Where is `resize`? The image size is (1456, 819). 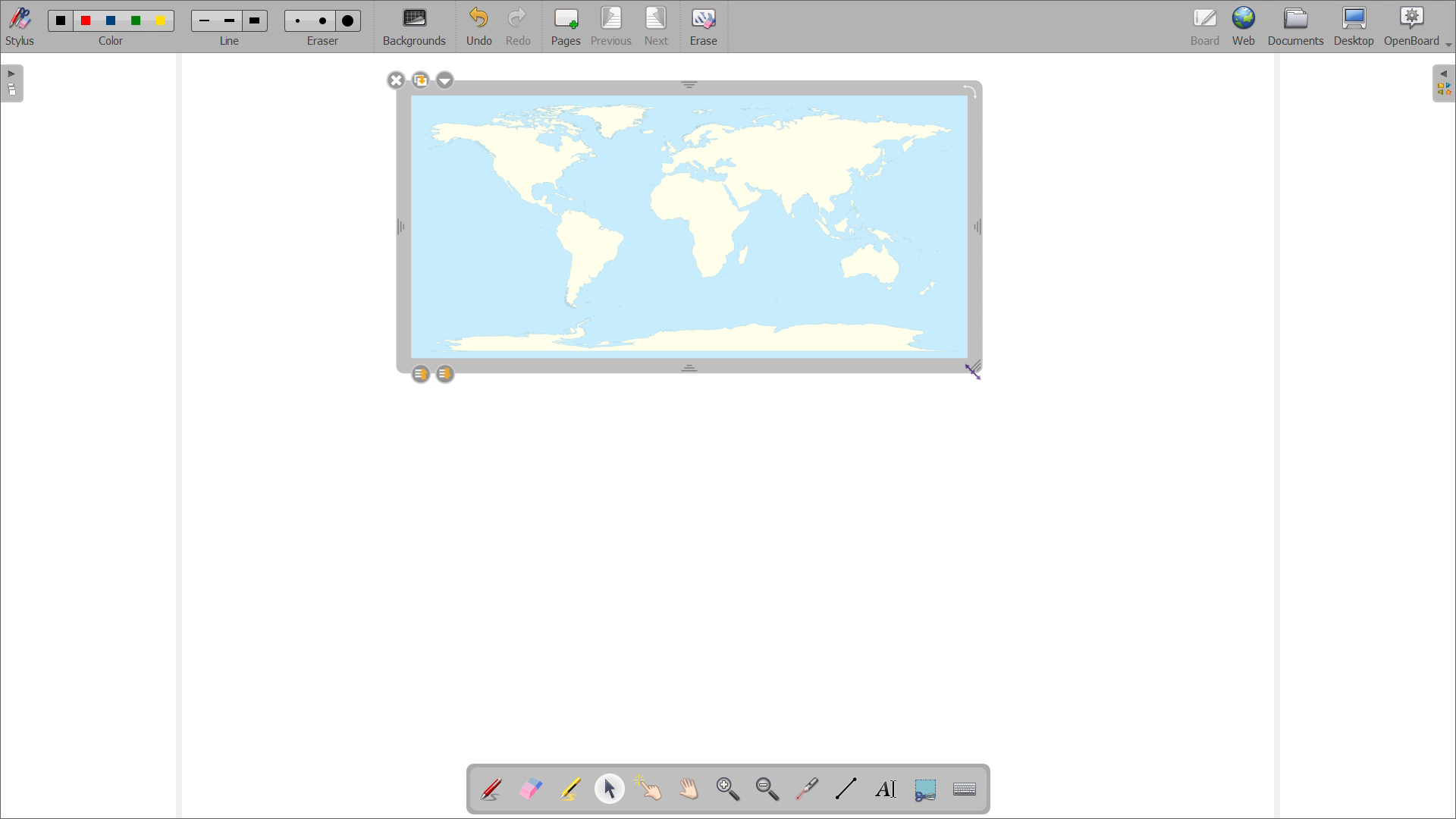 resize is located at coordinates (690, 83).